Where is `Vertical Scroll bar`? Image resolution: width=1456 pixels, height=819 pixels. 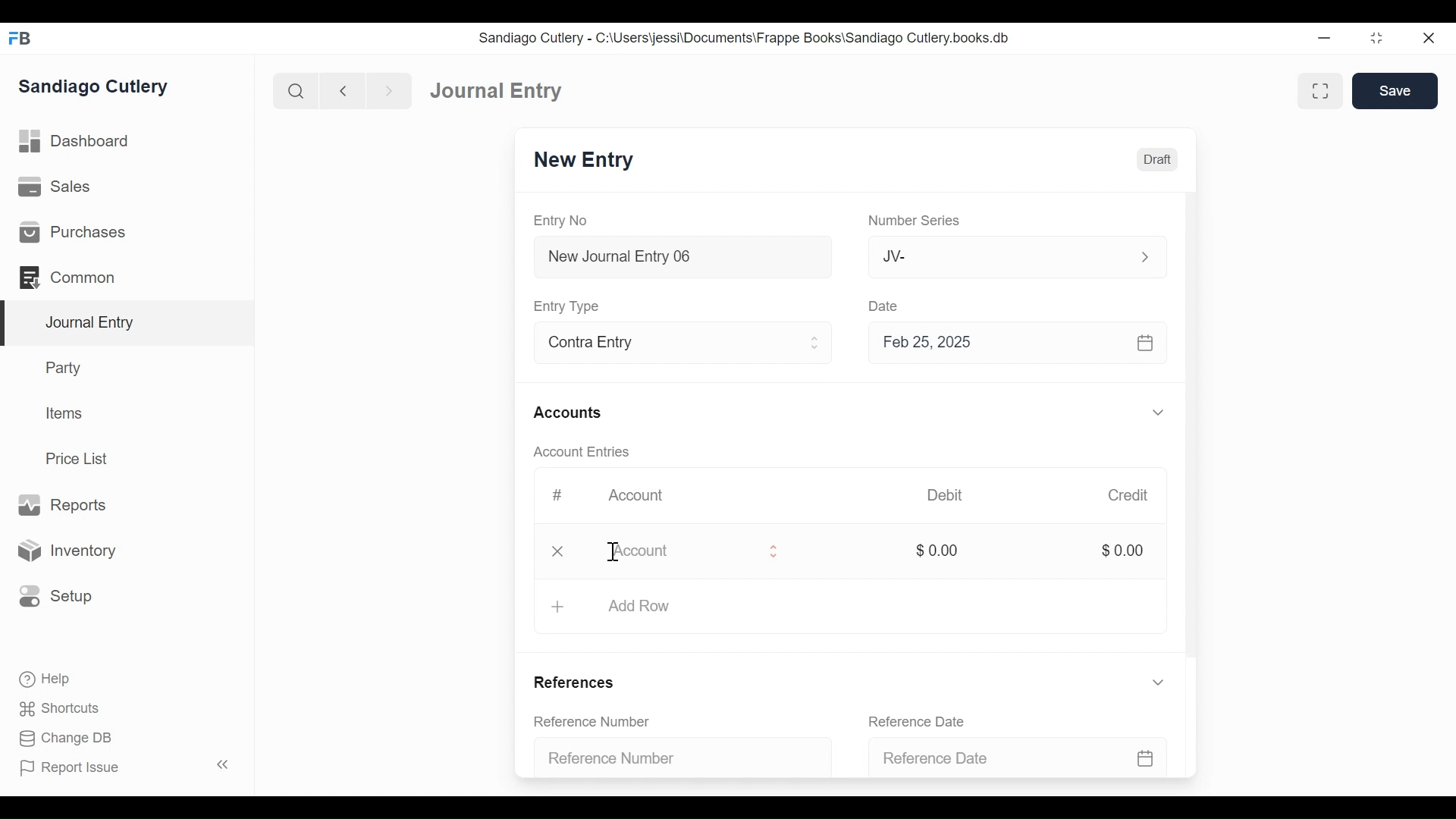
Vertical Scroll bar is located at coordinates (1193, 431).